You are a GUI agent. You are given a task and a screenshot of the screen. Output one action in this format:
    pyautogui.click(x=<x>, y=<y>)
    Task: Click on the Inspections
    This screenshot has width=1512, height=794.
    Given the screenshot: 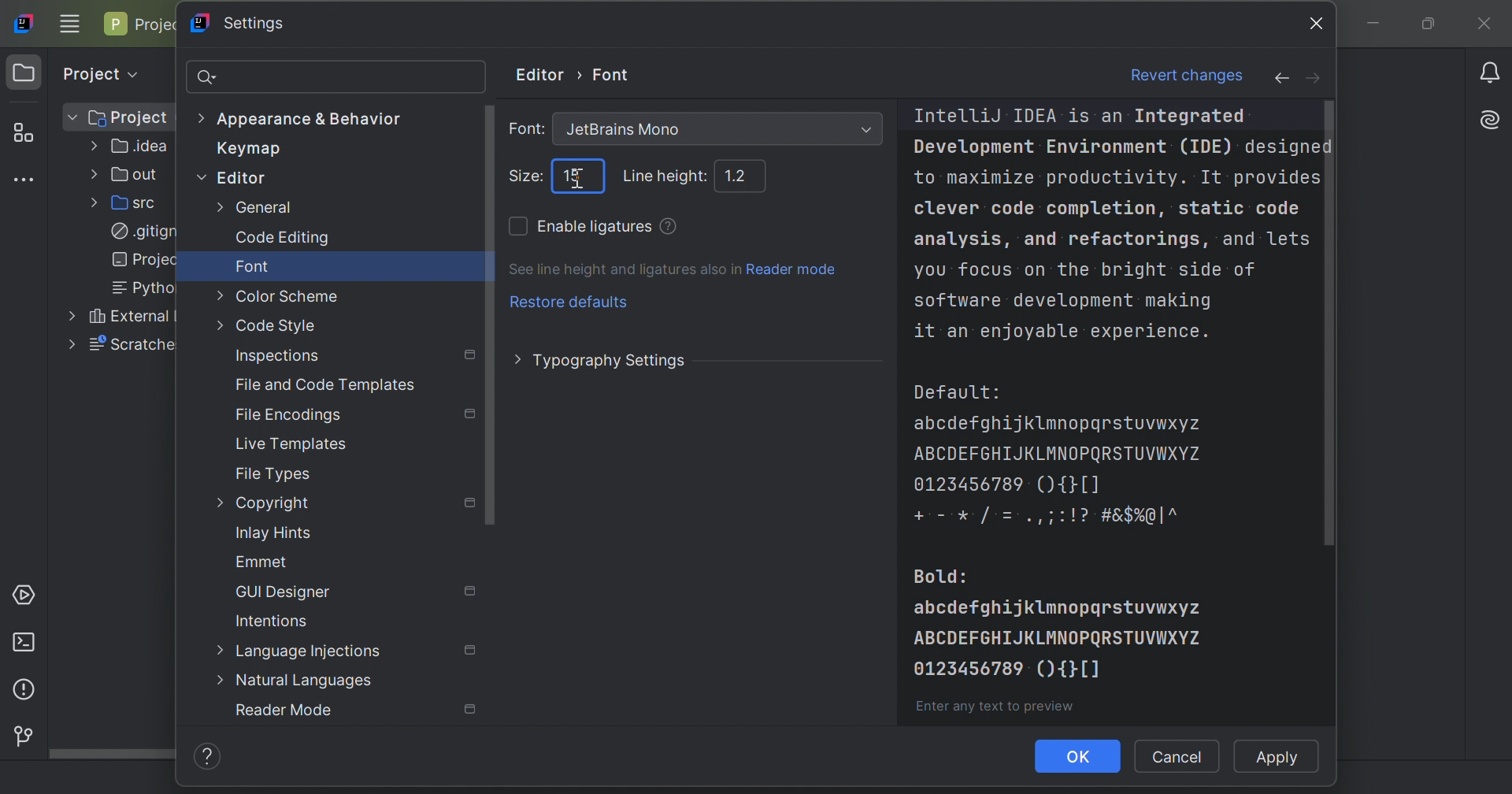 What is the action you would take?
    pyautogui.click(x=277, y=356)
    